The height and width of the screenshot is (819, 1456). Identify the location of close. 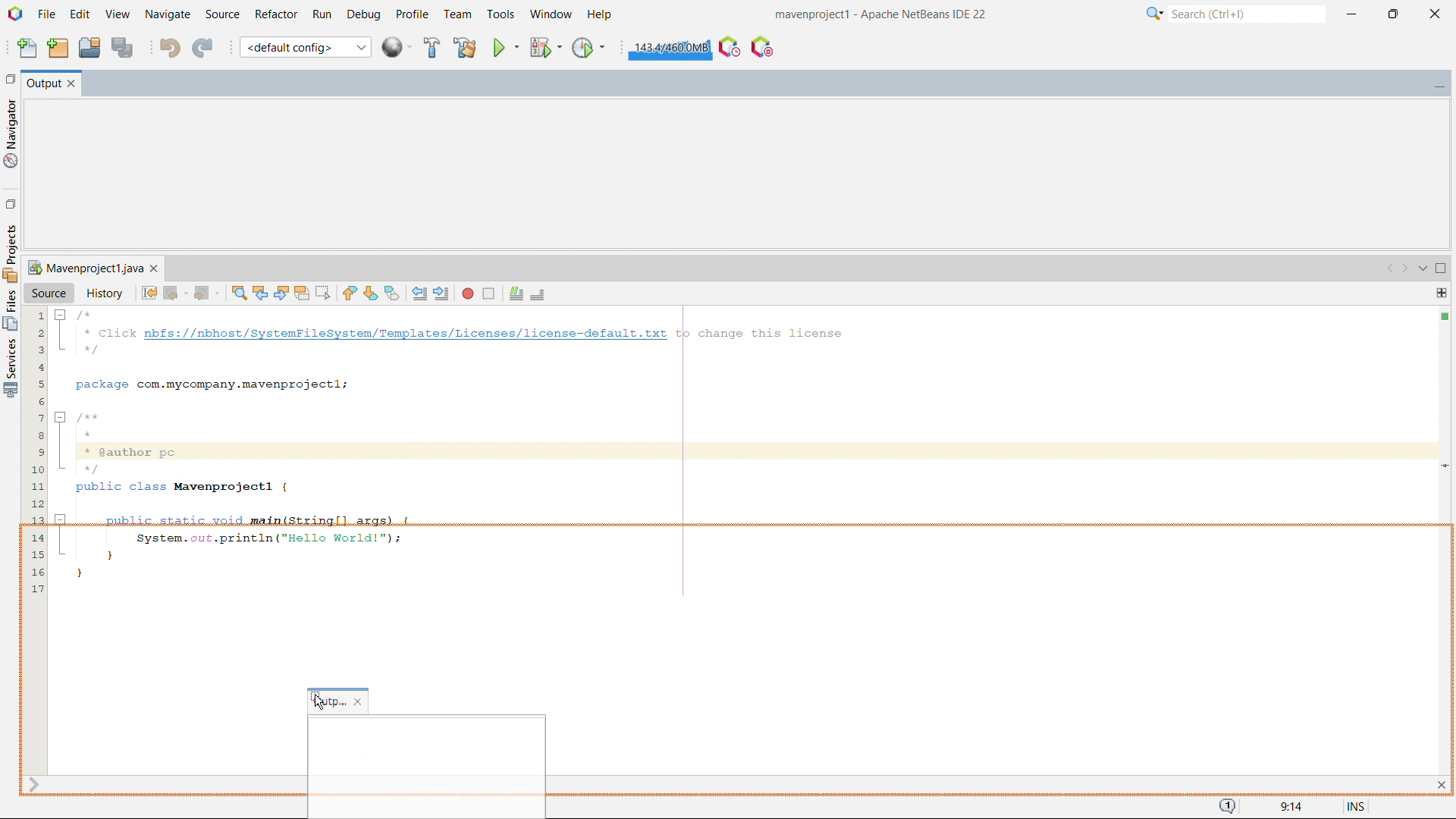
(1436, 14).